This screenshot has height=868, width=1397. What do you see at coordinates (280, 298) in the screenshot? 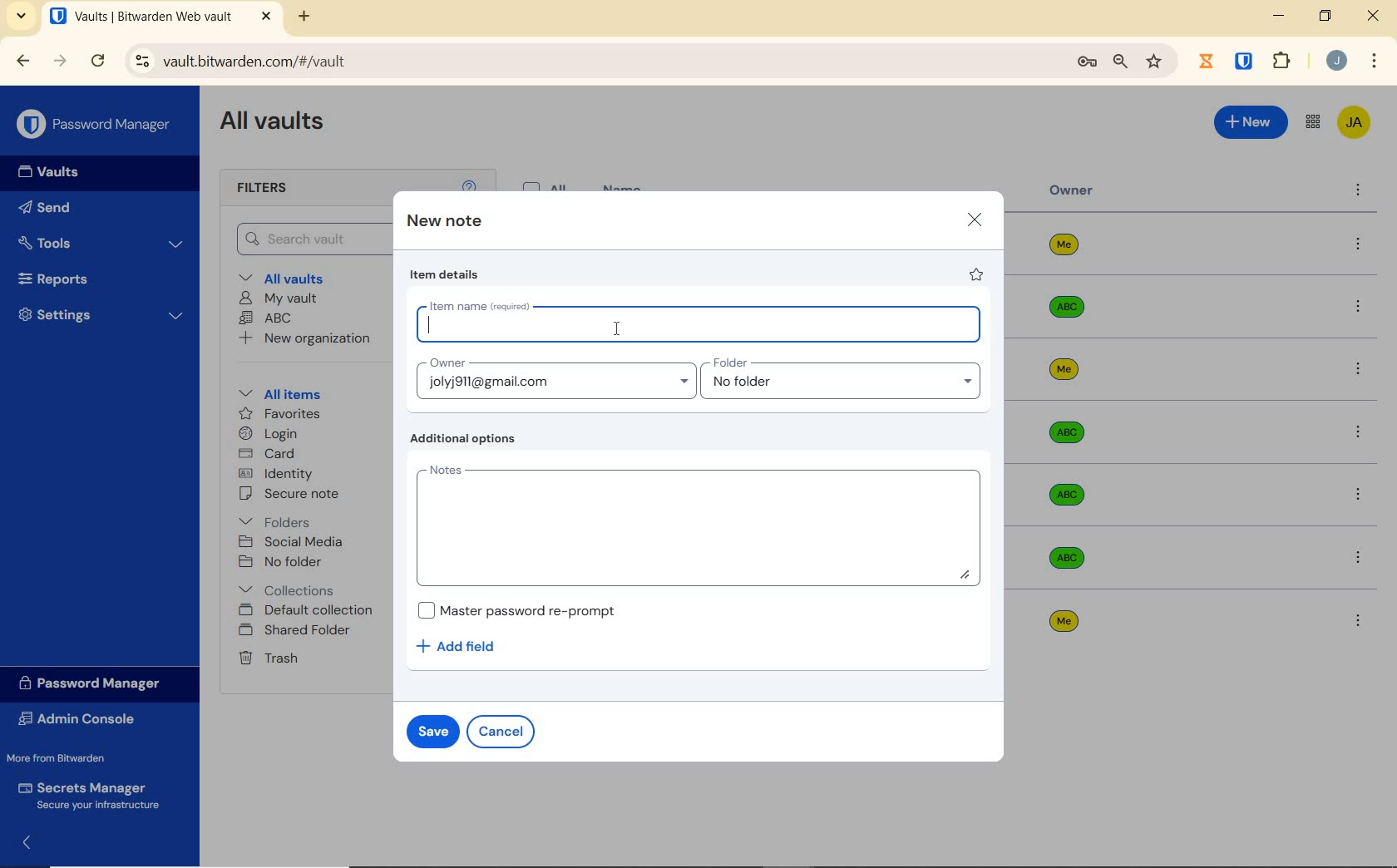
I see `My Vault` at bounding box center [280, 298].